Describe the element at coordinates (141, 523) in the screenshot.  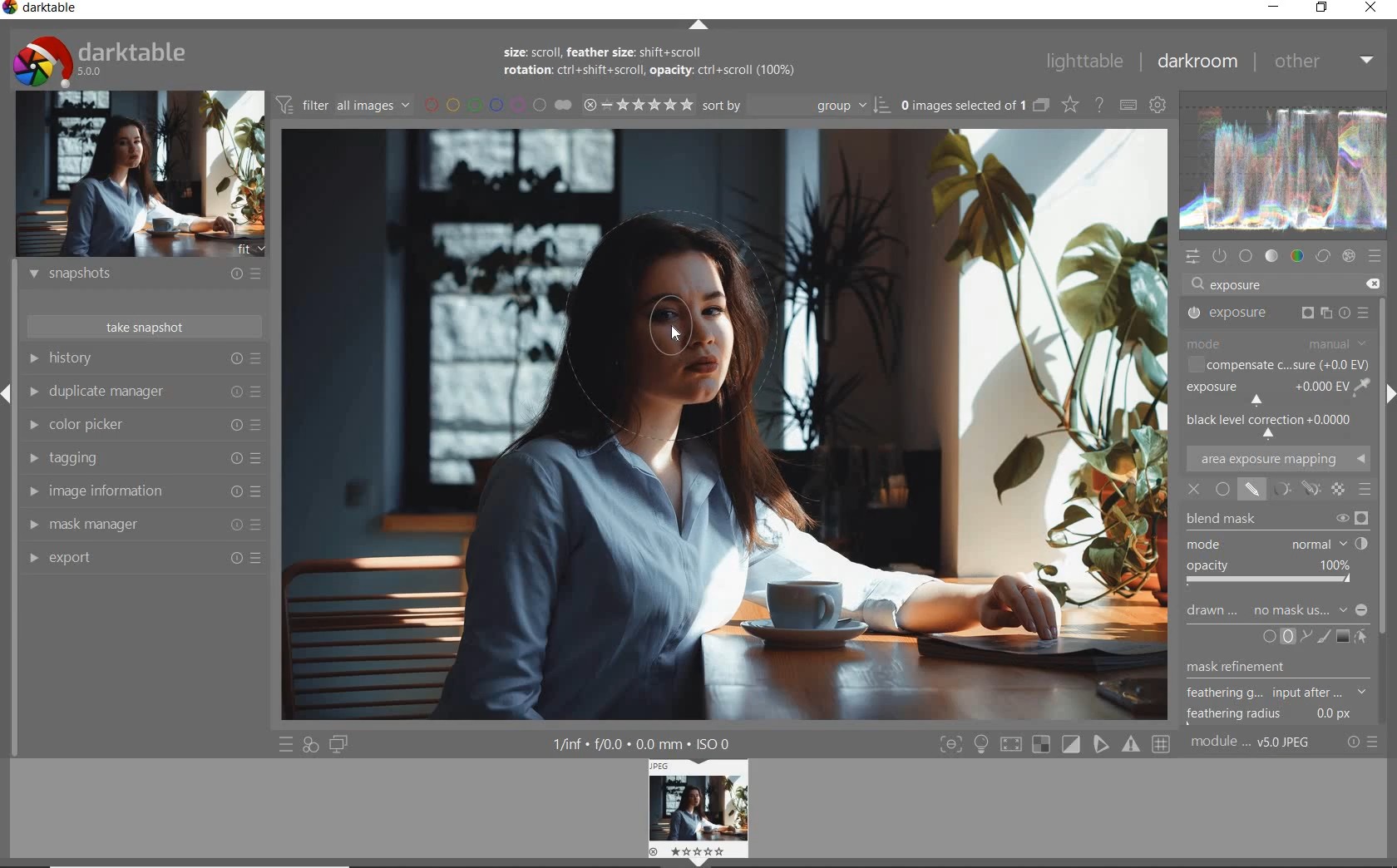
I see `mask manager` at that location.